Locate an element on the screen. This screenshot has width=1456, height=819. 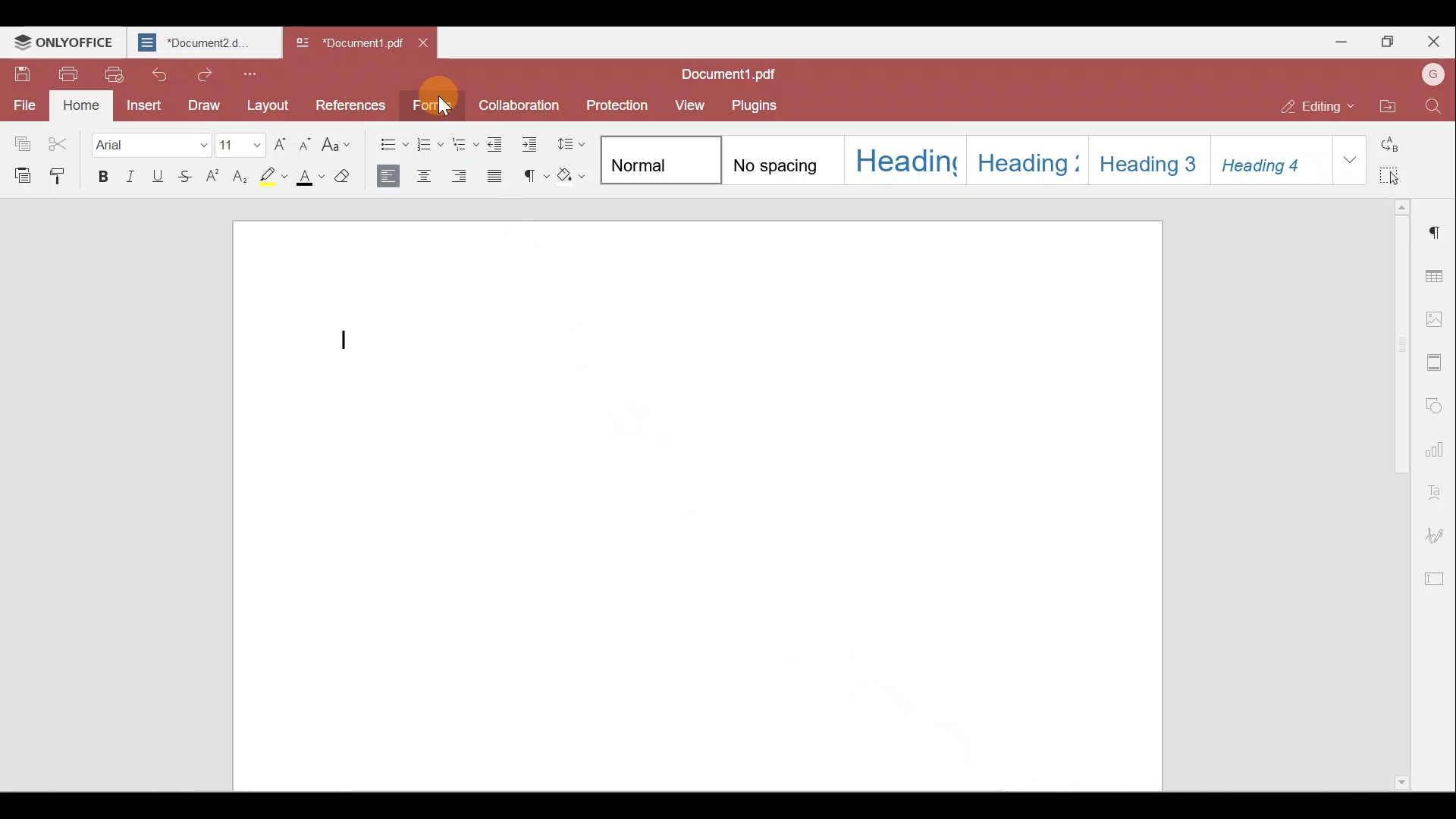
Home is located at coordinates (83, 106).